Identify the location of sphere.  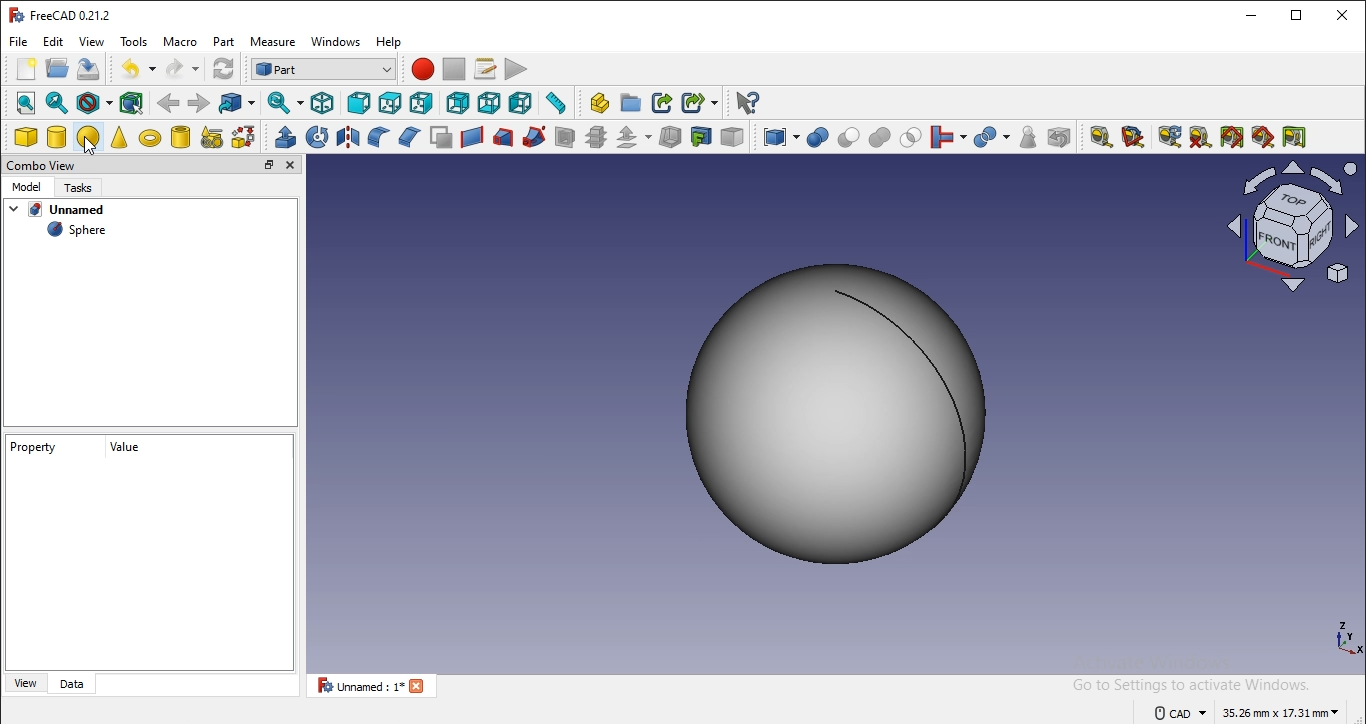
(88, 137).